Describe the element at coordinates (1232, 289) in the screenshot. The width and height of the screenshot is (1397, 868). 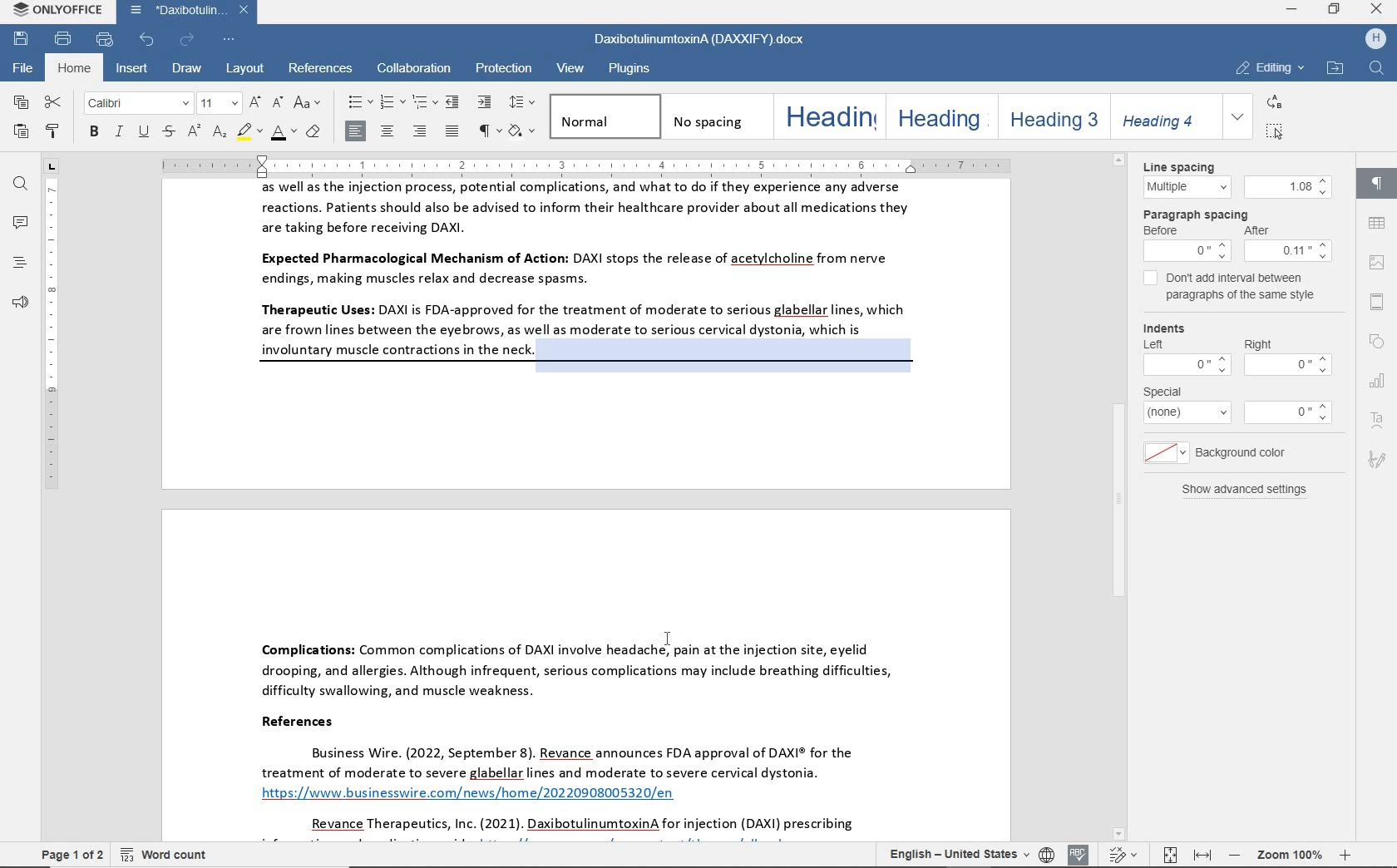
I see `don't add interval between paragraphs of the same style` at that location.